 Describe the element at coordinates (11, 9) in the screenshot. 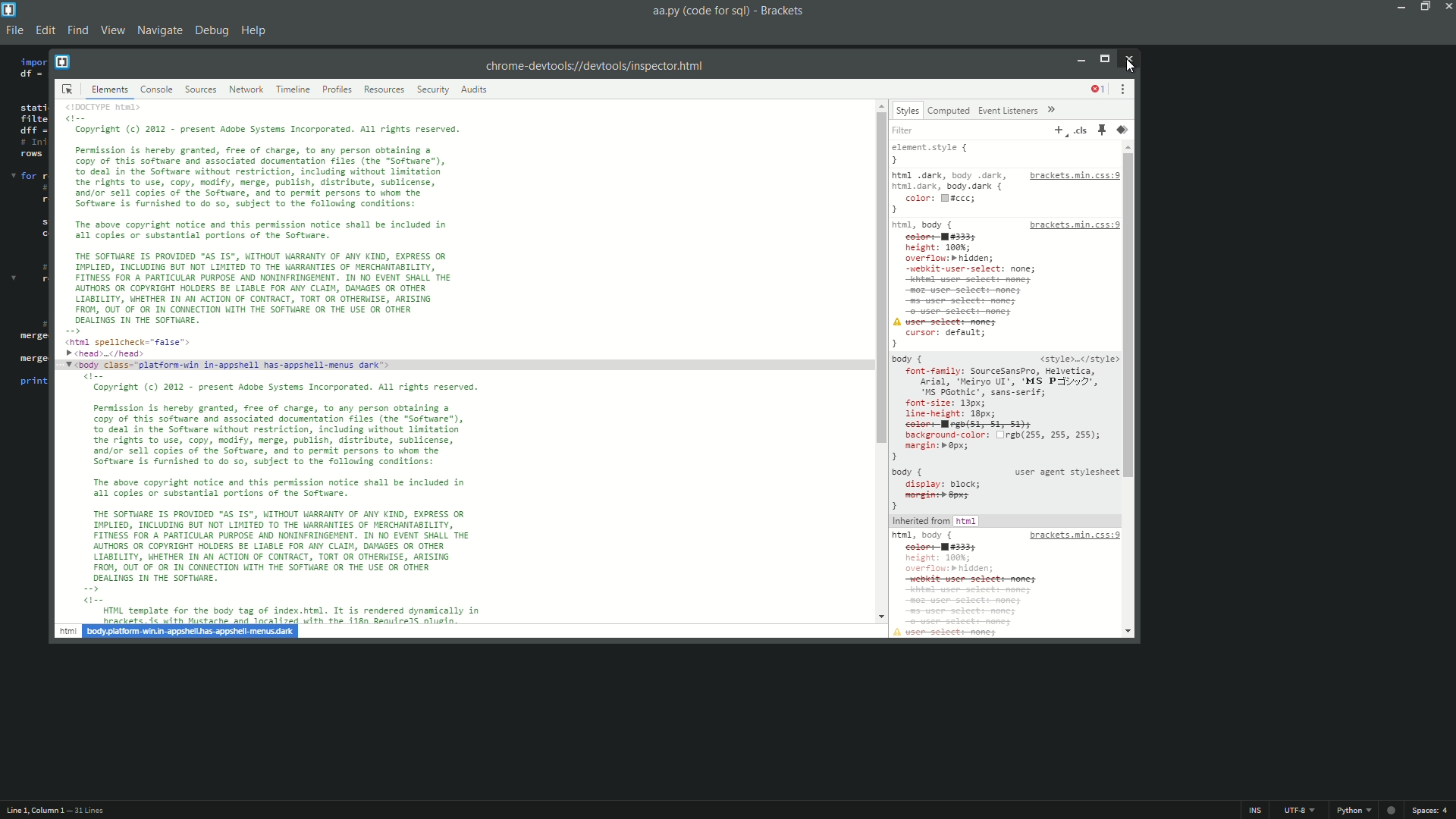

I see `app icon` at that location.